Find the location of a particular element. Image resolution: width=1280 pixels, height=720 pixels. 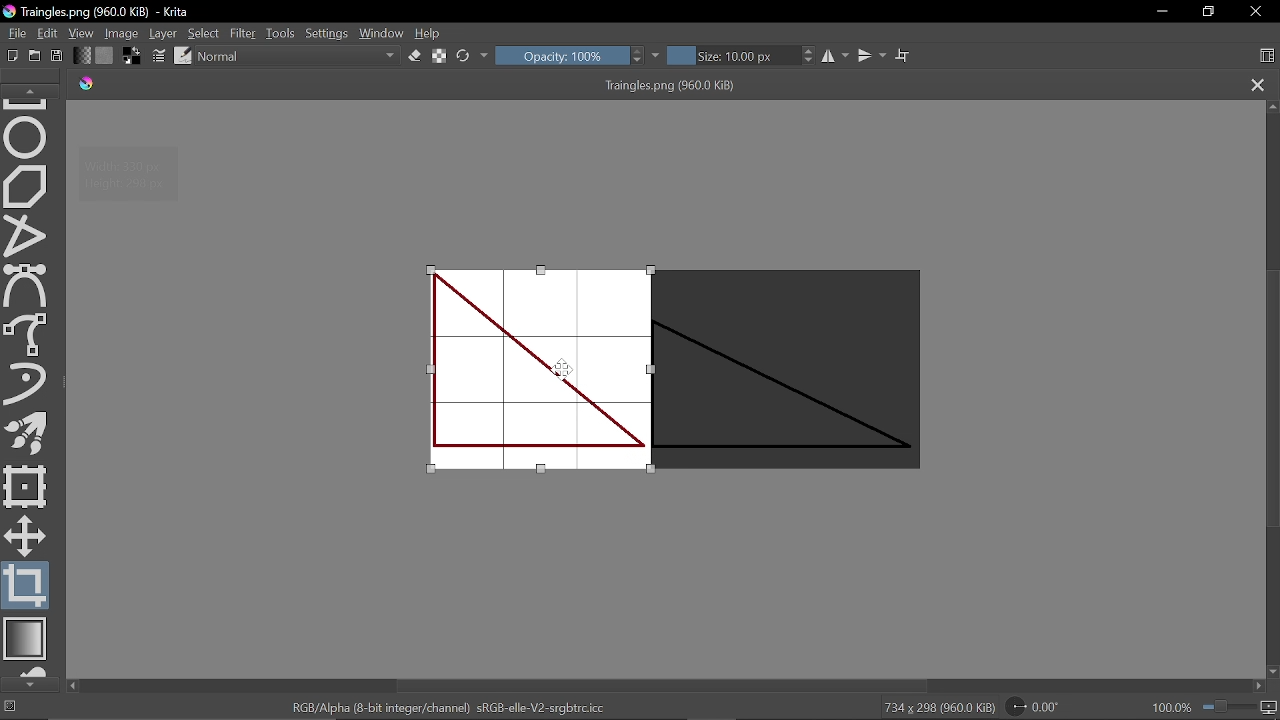

Fill pattern is located at coordinates (105, 56).